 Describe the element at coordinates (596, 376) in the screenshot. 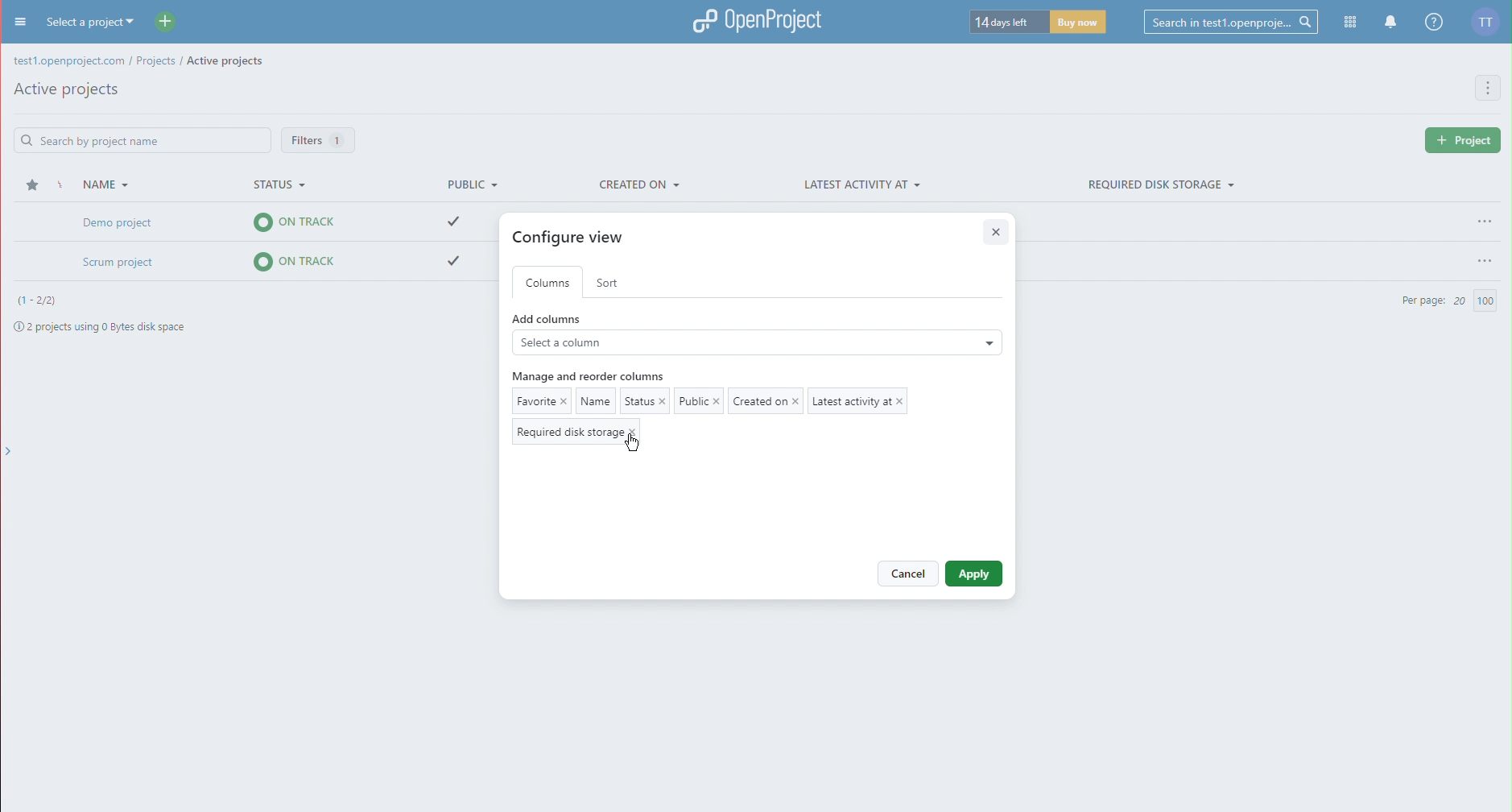

I see `Manage and reorder columns` at that location.